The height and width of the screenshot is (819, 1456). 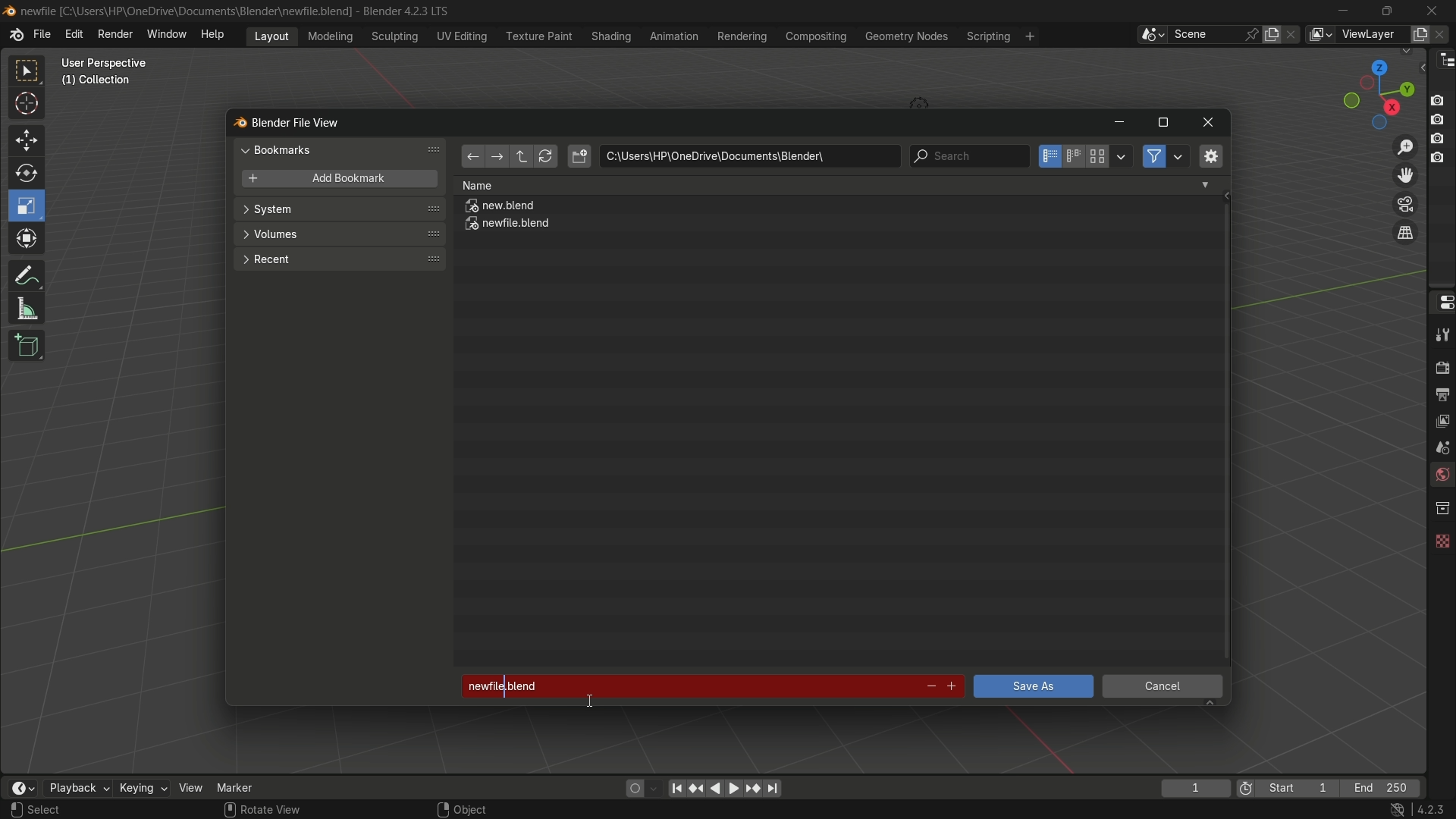 I want to click on refresh, so click(x=545, y=157).